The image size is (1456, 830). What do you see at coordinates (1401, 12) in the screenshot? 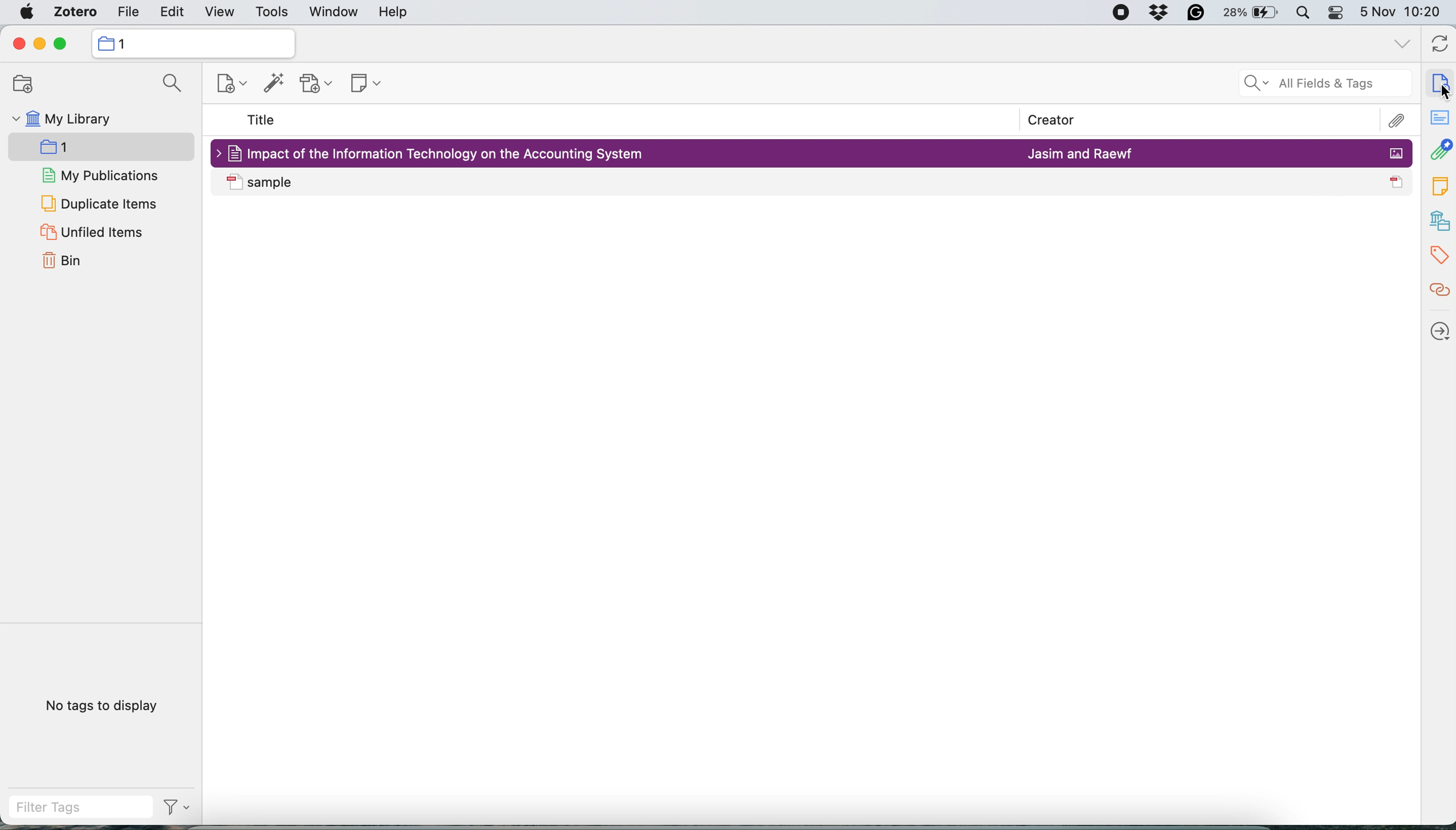
I see `5 Nov 10:20` at bounding box center [1401, 12].